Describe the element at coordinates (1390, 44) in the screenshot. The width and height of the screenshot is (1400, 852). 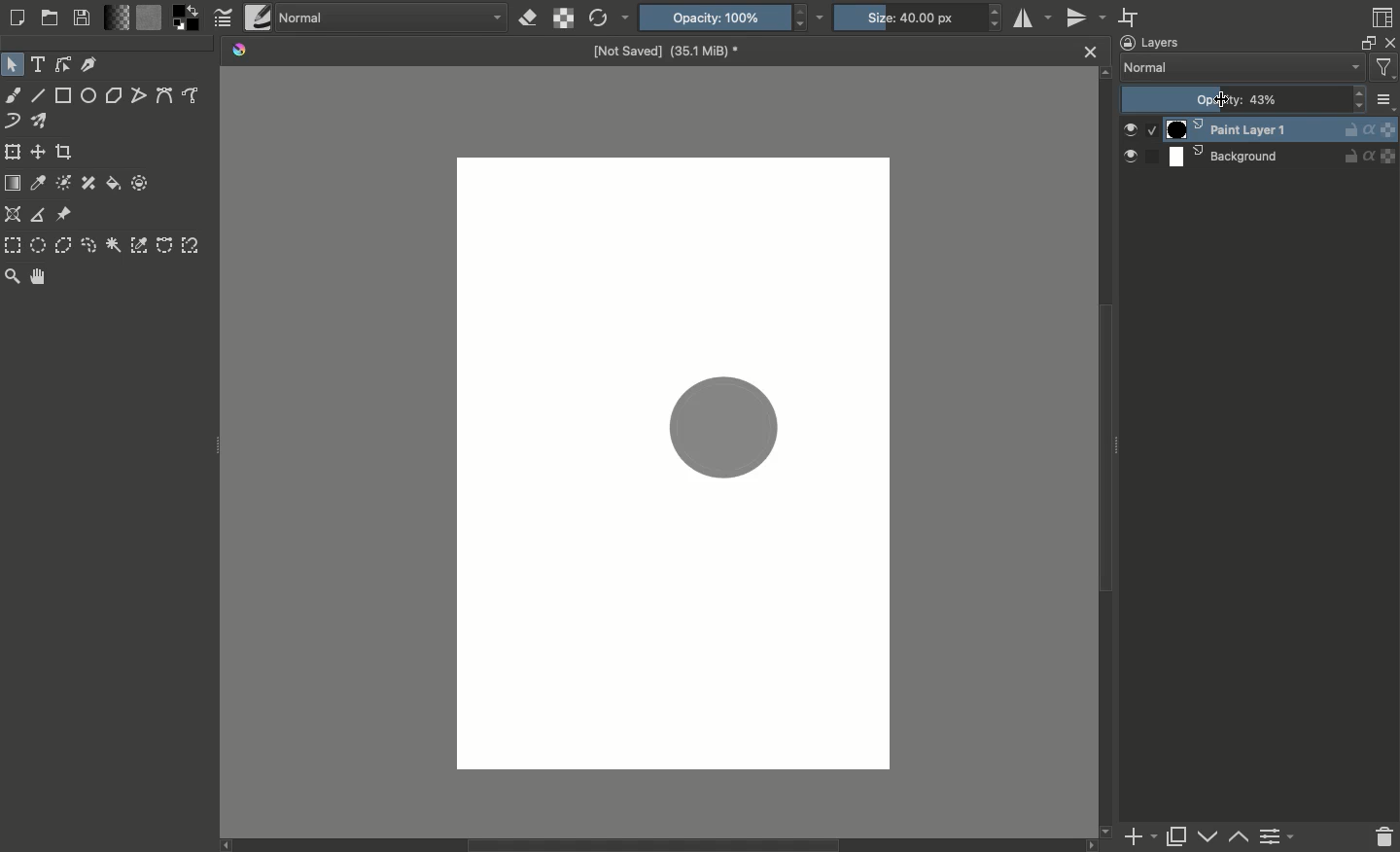
I see `Close` at that location.